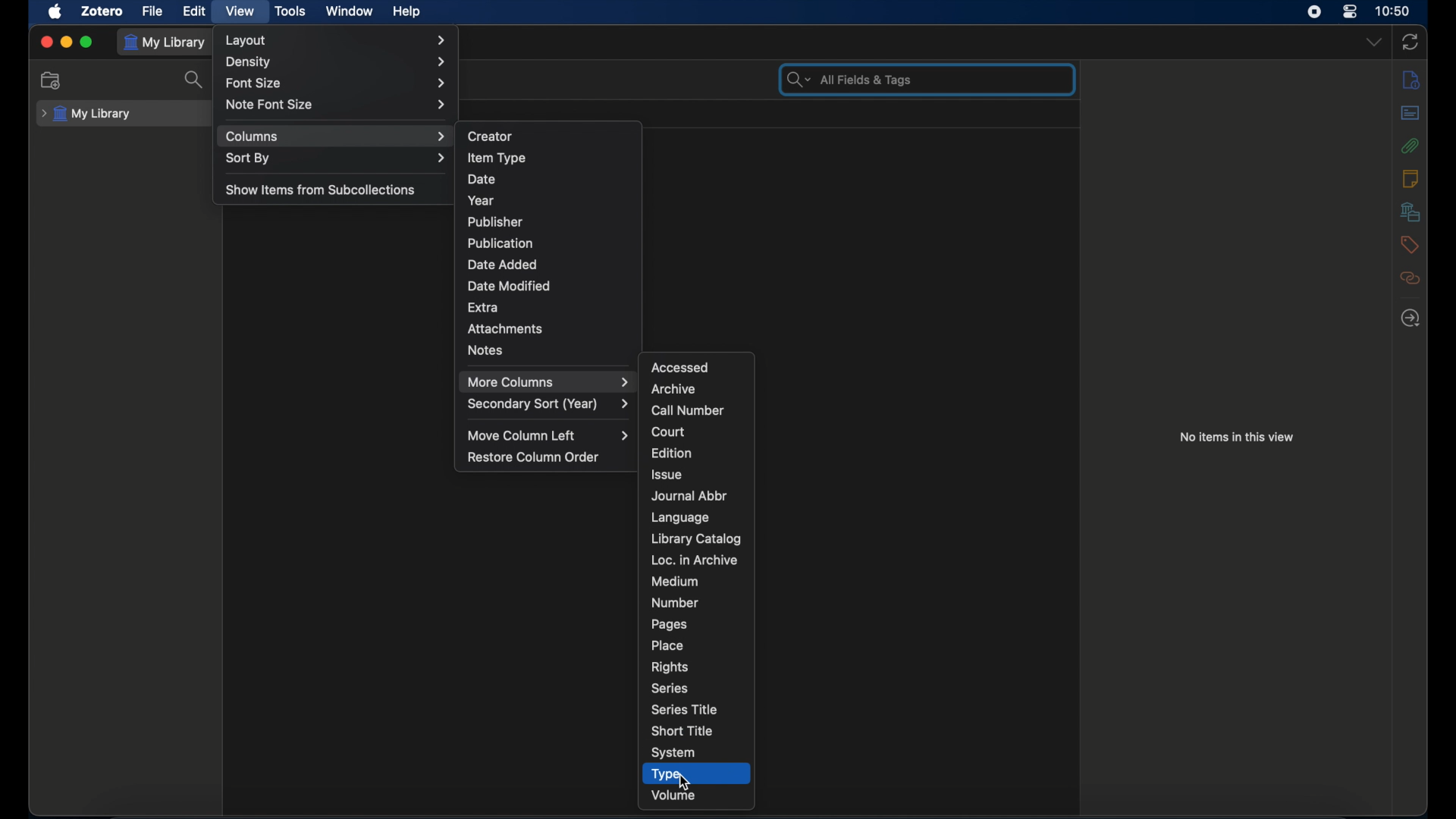  I want to click on date  modified, so click(510, 286).